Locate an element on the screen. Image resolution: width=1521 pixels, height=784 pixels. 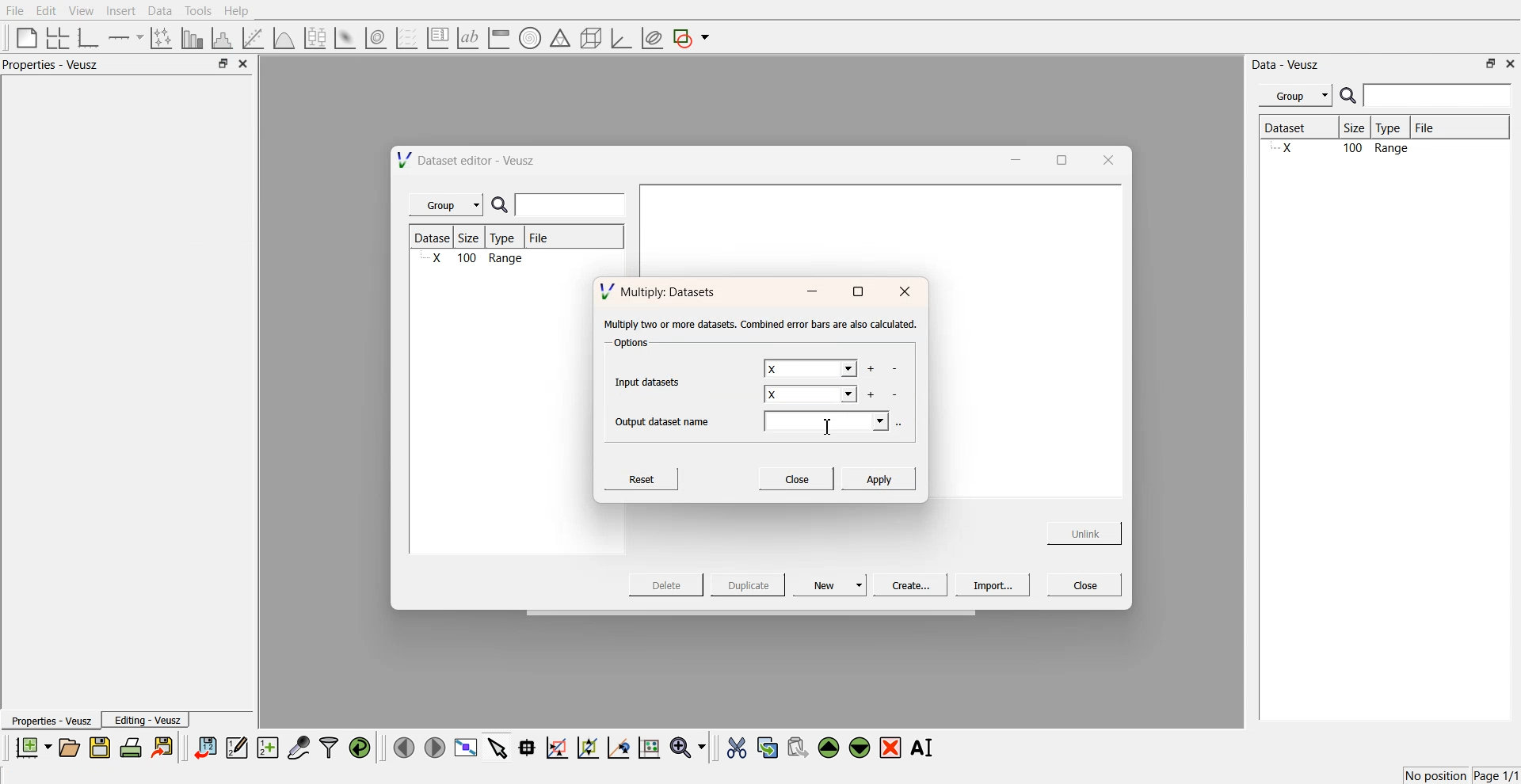
histogram is located at coordinates (225, 37).